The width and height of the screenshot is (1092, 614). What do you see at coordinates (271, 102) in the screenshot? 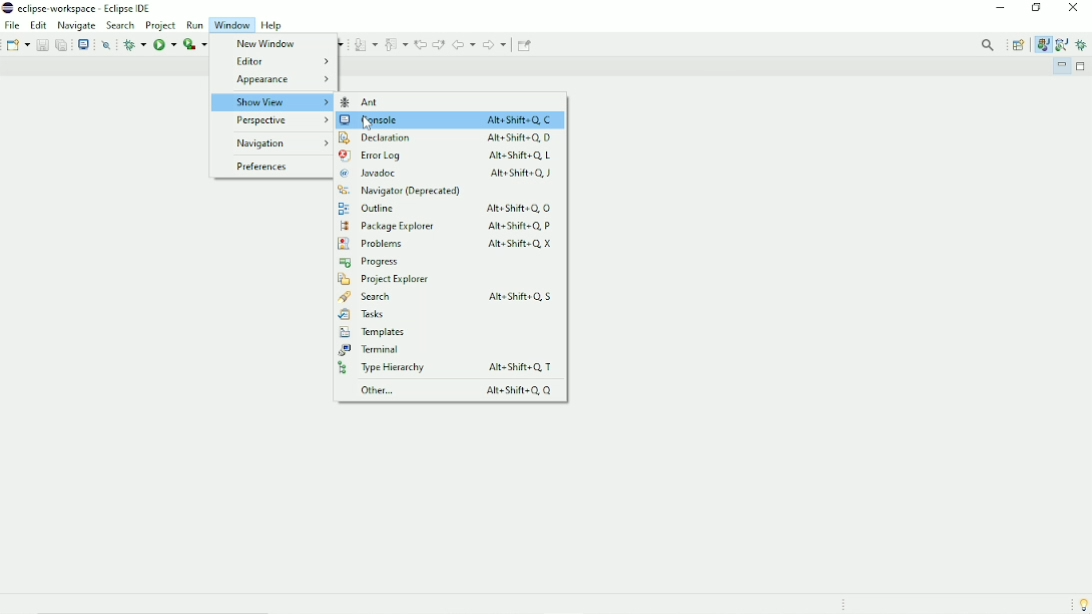
I see `Show View` at bounding box center [271, 102].